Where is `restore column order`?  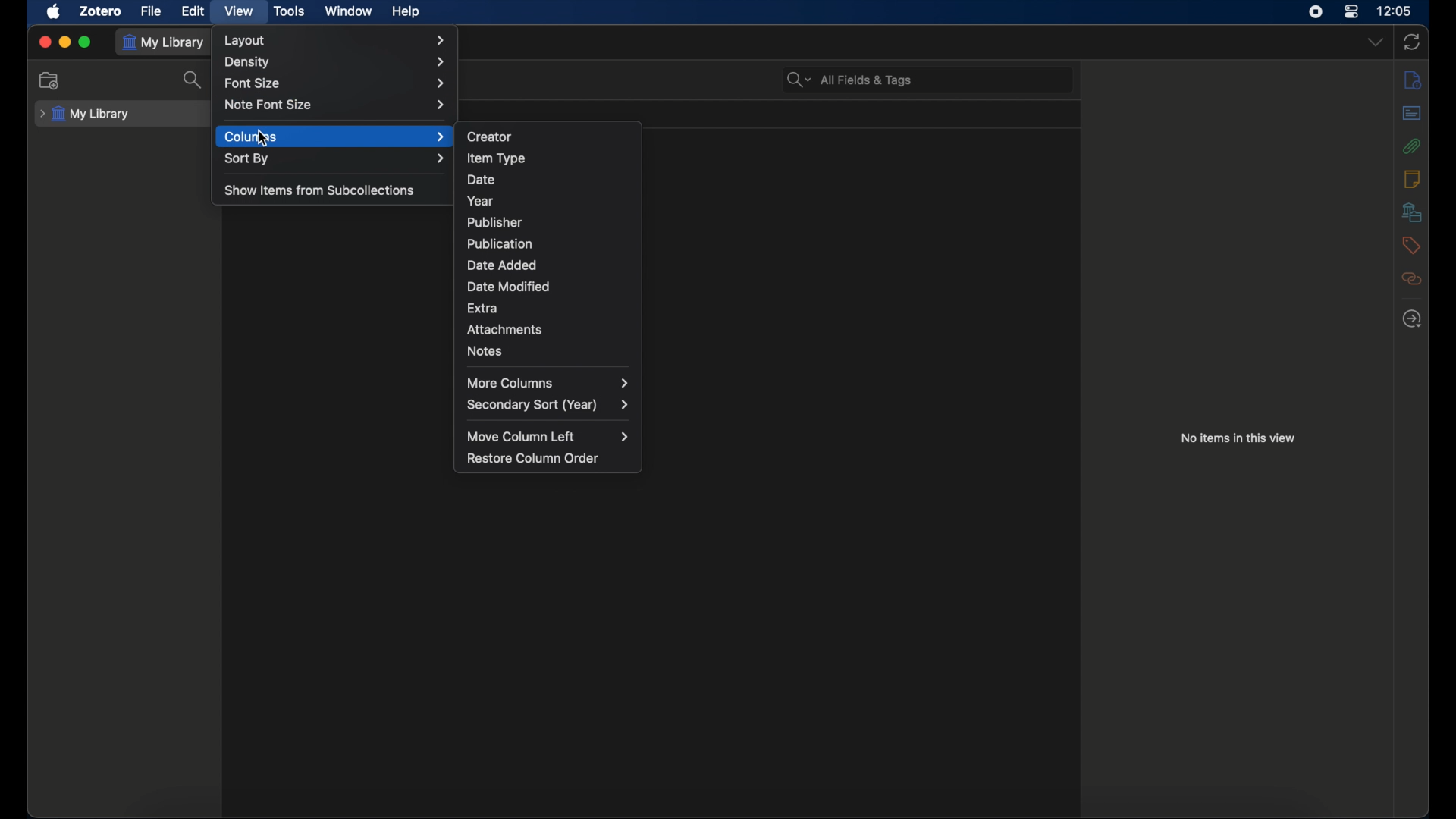
restore column order is located at coordinates (535, 459).